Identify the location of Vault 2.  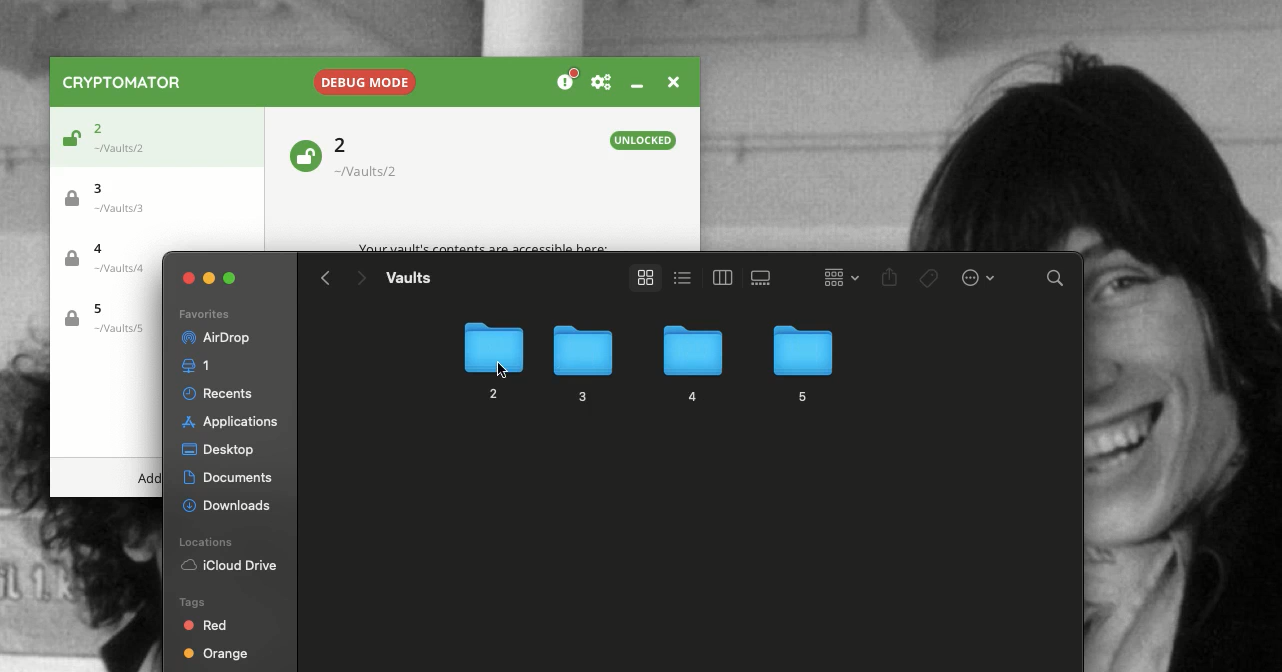
(377, 157).